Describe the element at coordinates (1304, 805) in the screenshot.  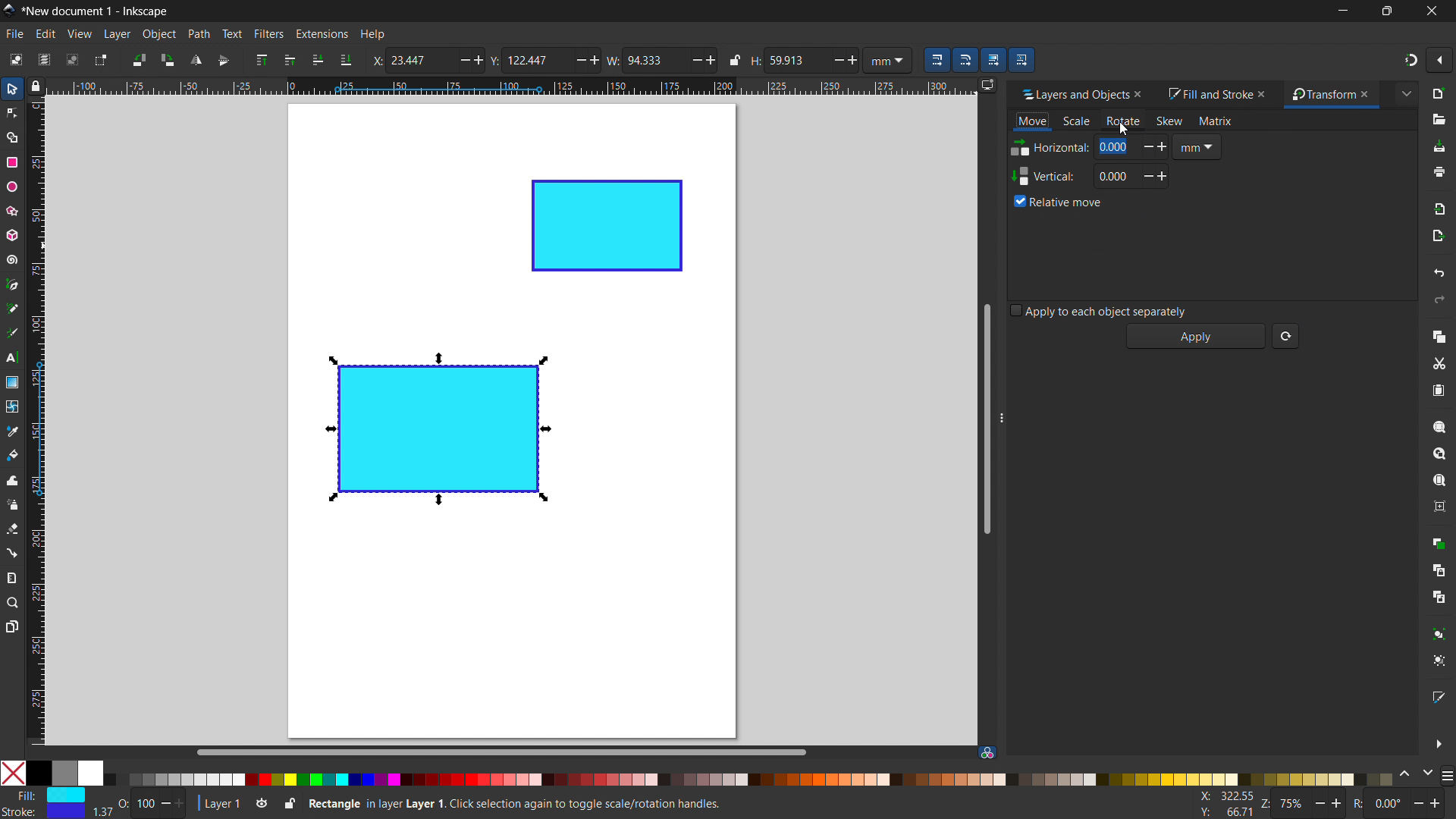
I see `Z: 75%` at that location.